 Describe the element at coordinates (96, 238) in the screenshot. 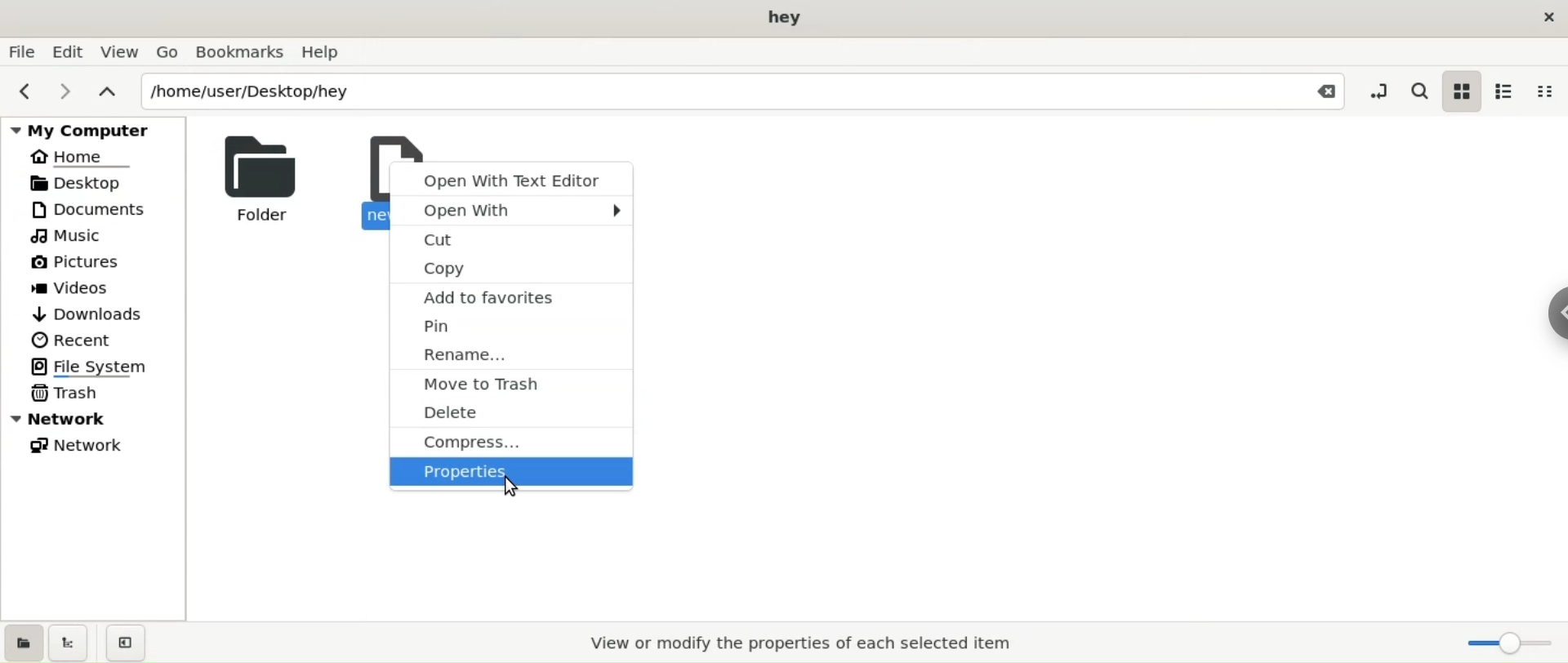

I see `Music` at that location.